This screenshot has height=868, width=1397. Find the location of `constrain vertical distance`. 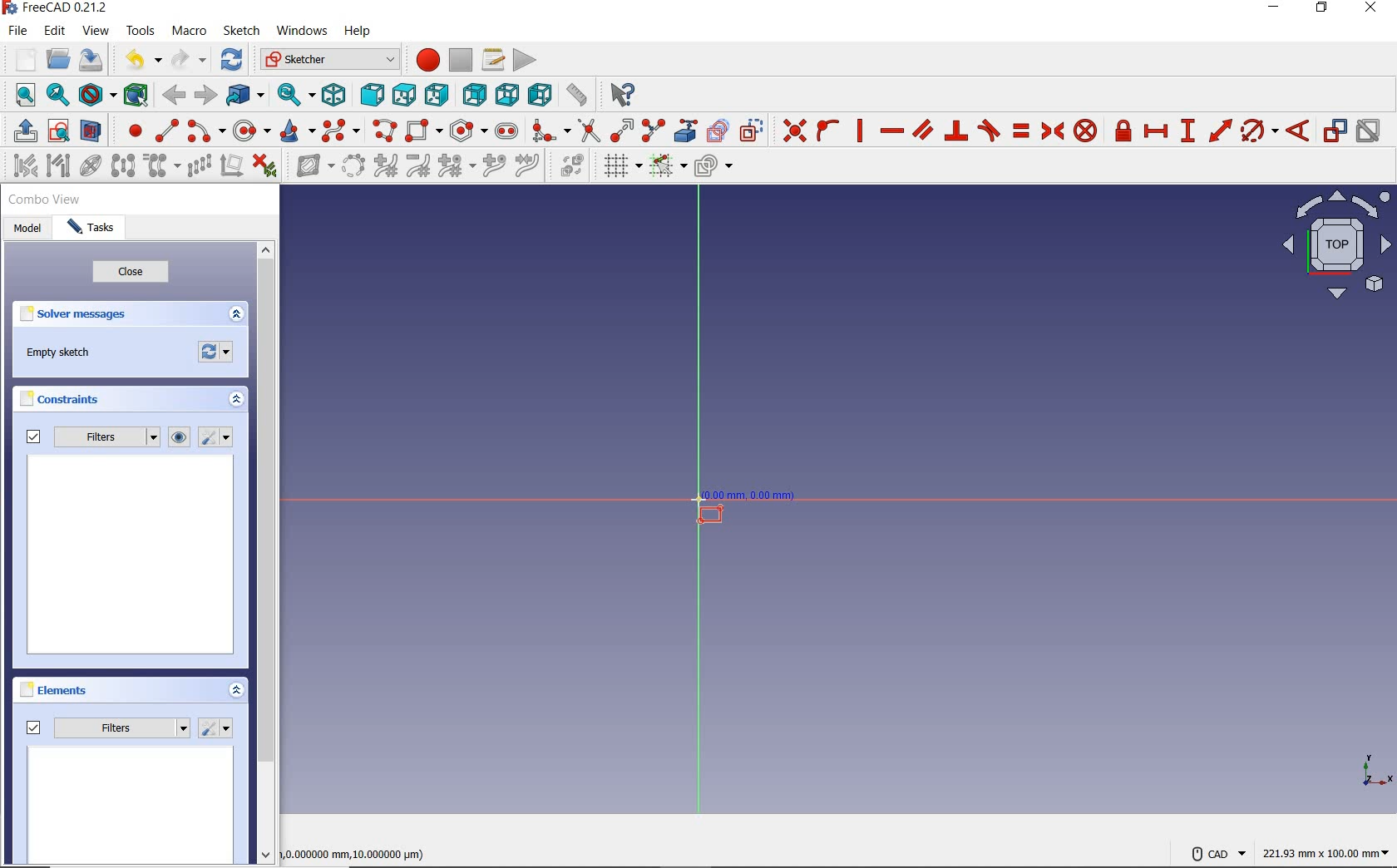

constrain vertical distance is located at coordinates (1188, 131).